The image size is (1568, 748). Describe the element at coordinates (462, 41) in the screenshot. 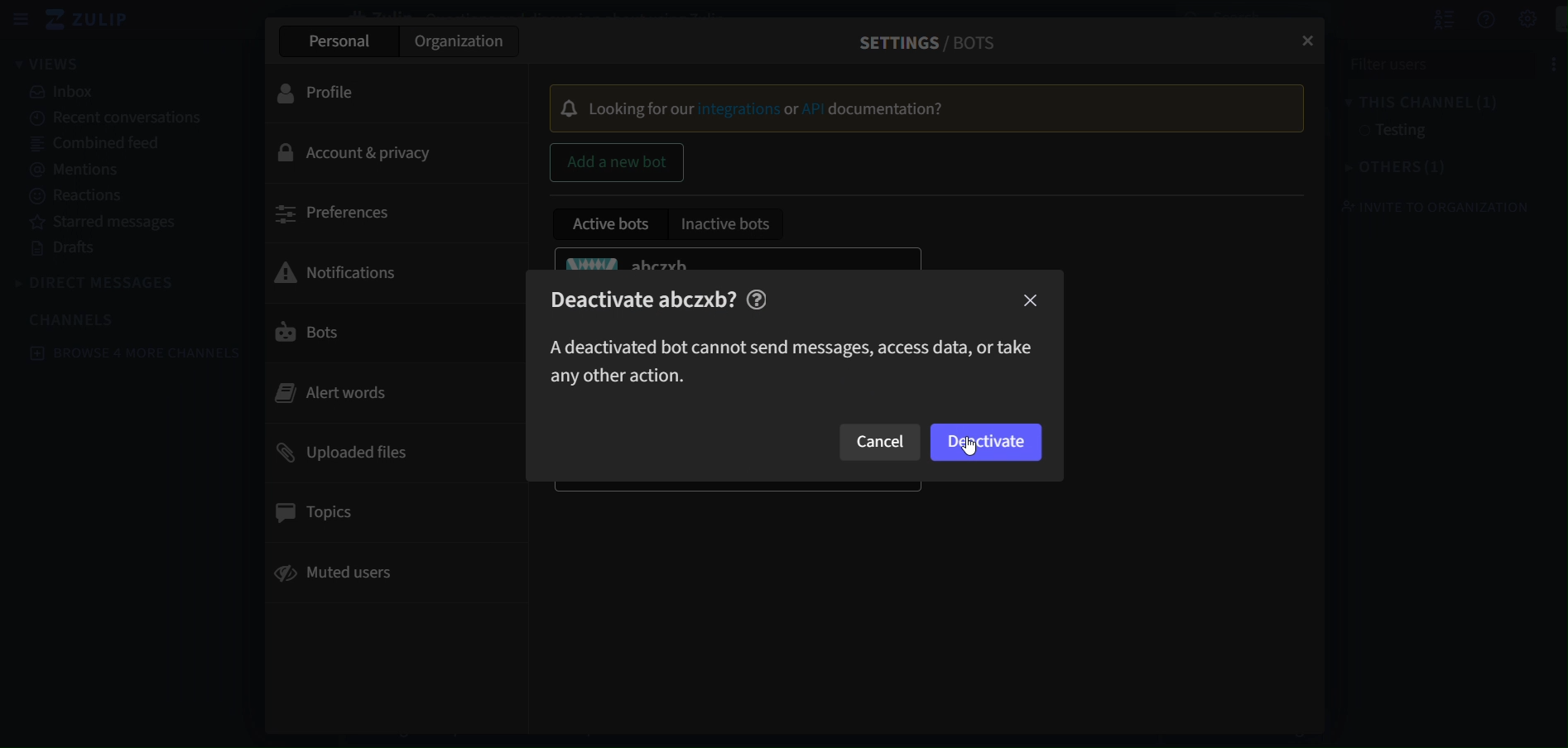

I see `organisation` at that location.